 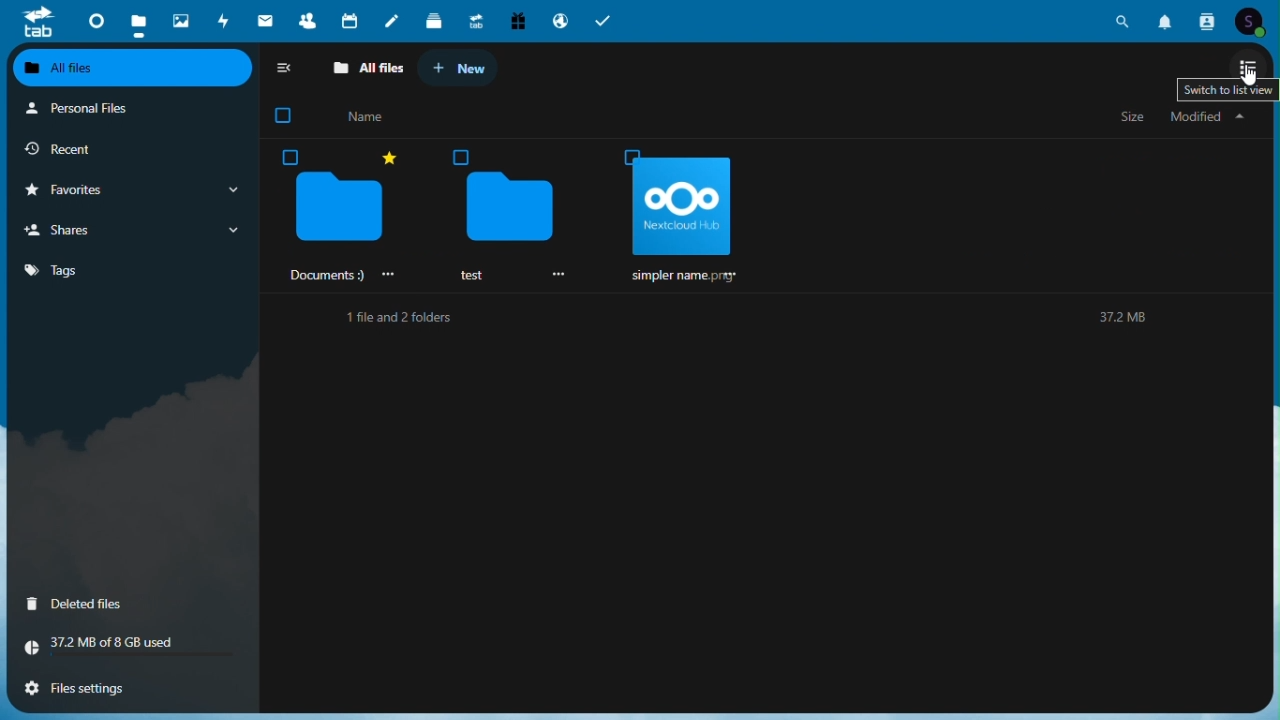 I want to click on test, so click(x=517, y=216).